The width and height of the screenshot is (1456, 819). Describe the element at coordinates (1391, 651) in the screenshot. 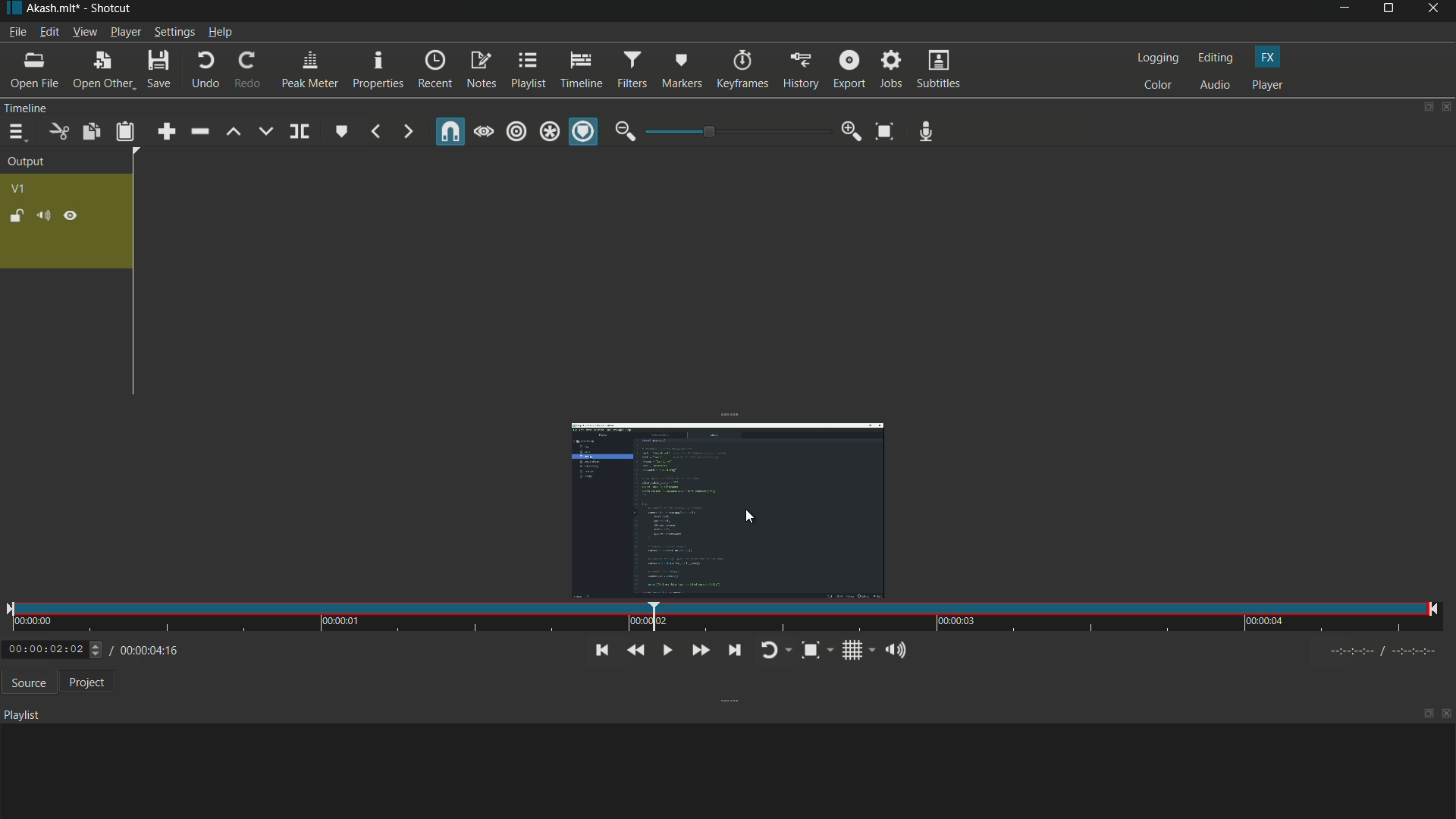

I see `timecodes` at that location.